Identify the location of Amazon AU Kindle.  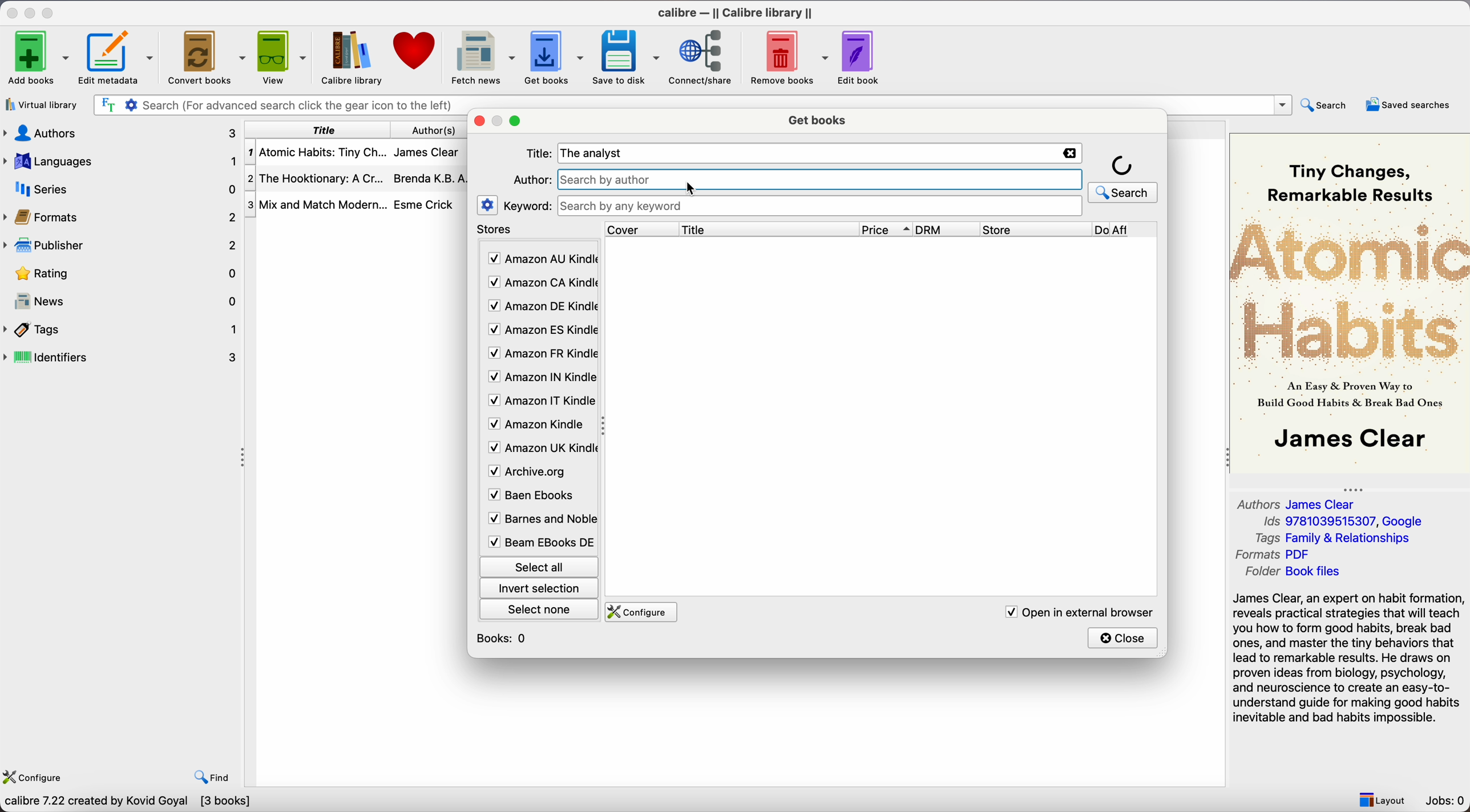
(541, 259).